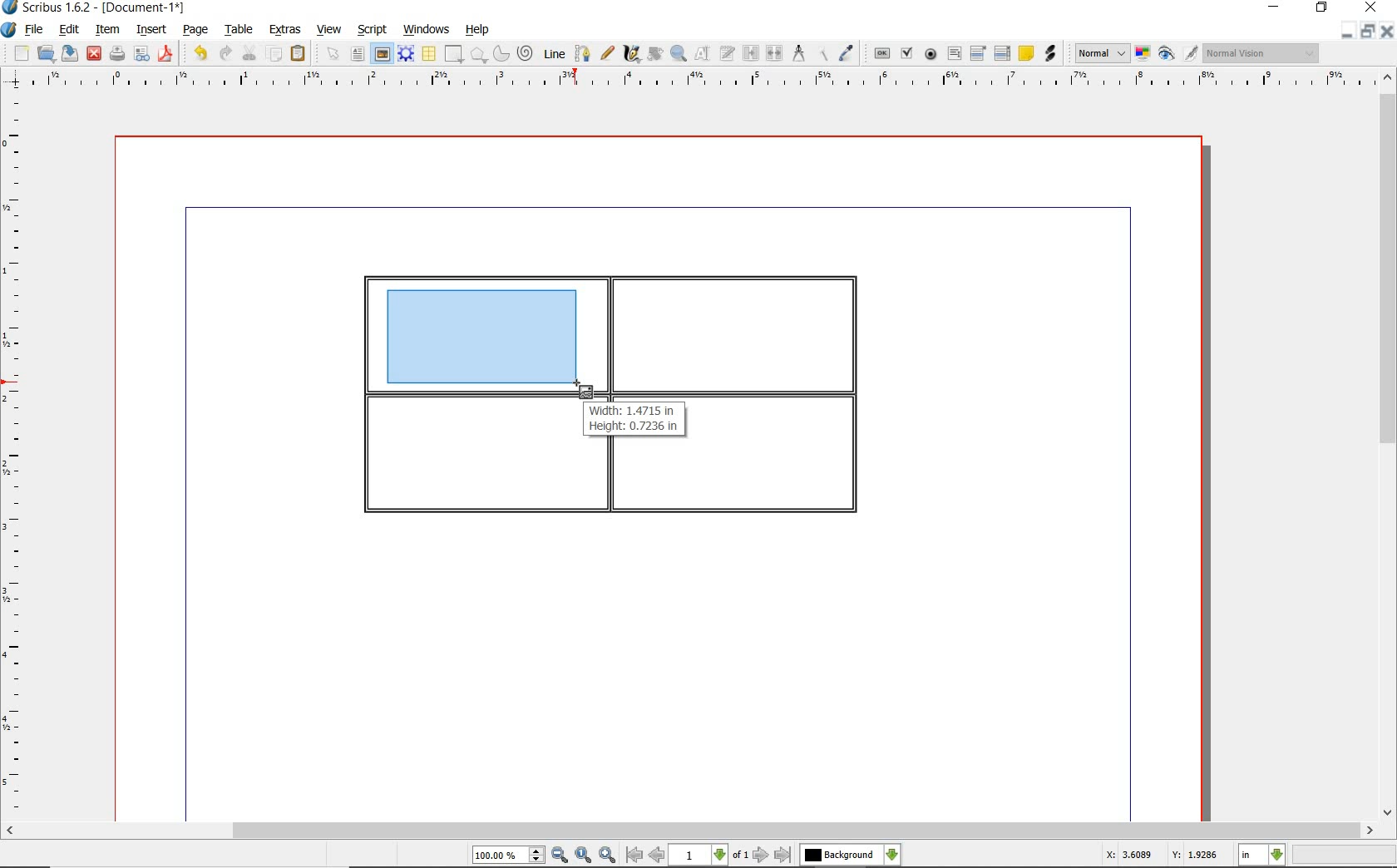 This screenshot has height=868, width=1397. What do you see at coordinates (608, 856) in the screenshot?
I see `zoom in` at bounding box center [608, 856].